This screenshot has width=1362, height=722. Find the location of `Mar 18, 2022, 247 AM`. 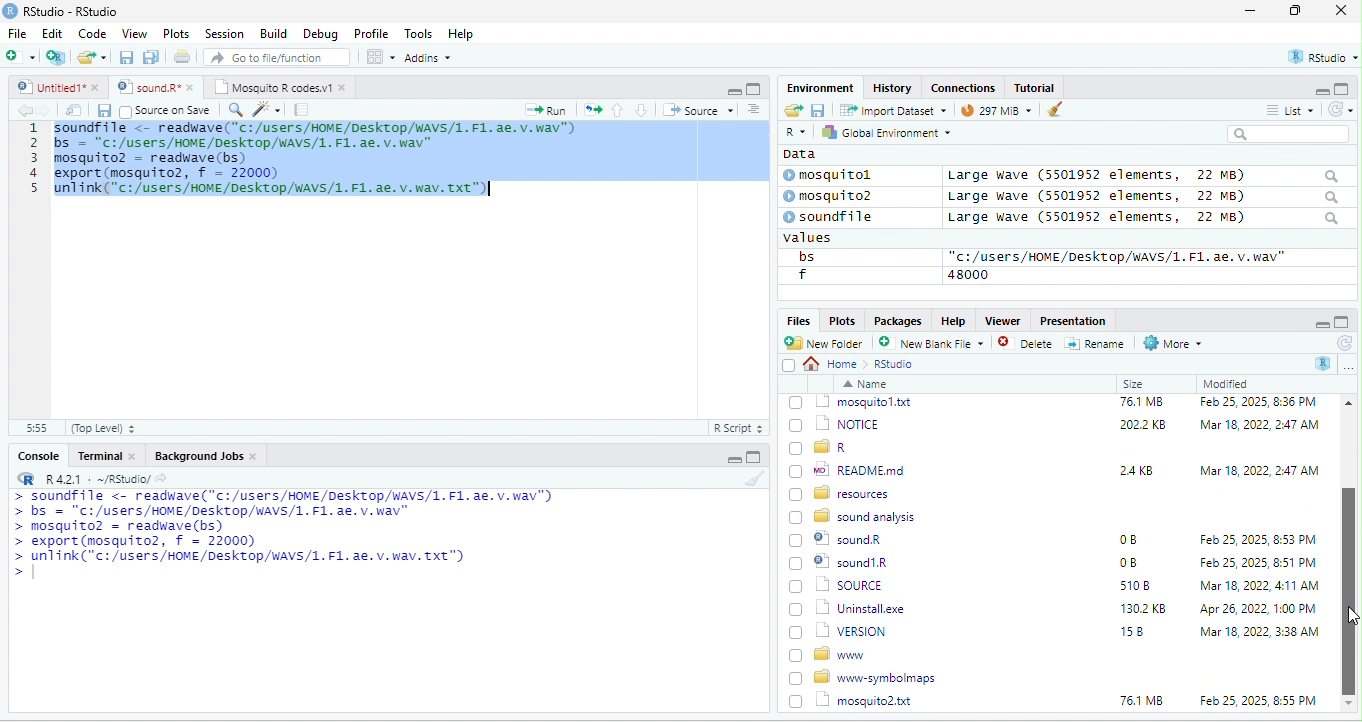

Mar 18, 2022, 247 AM is located at coordinates (1260, 474).